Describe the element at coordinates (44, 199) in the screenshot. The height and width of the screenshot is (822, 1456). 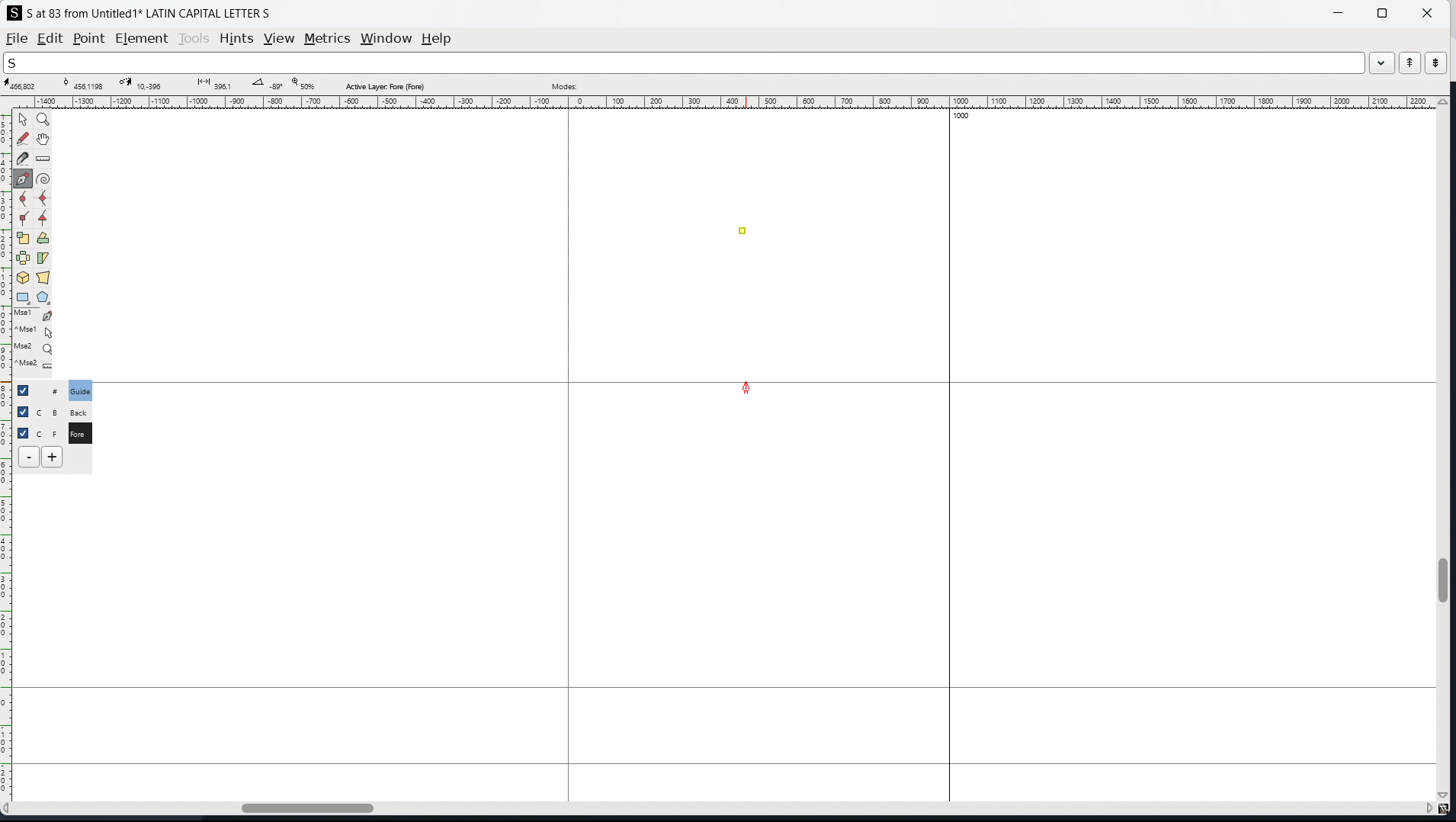
I see `add a curve point always either vertically or horizontally` at that location.